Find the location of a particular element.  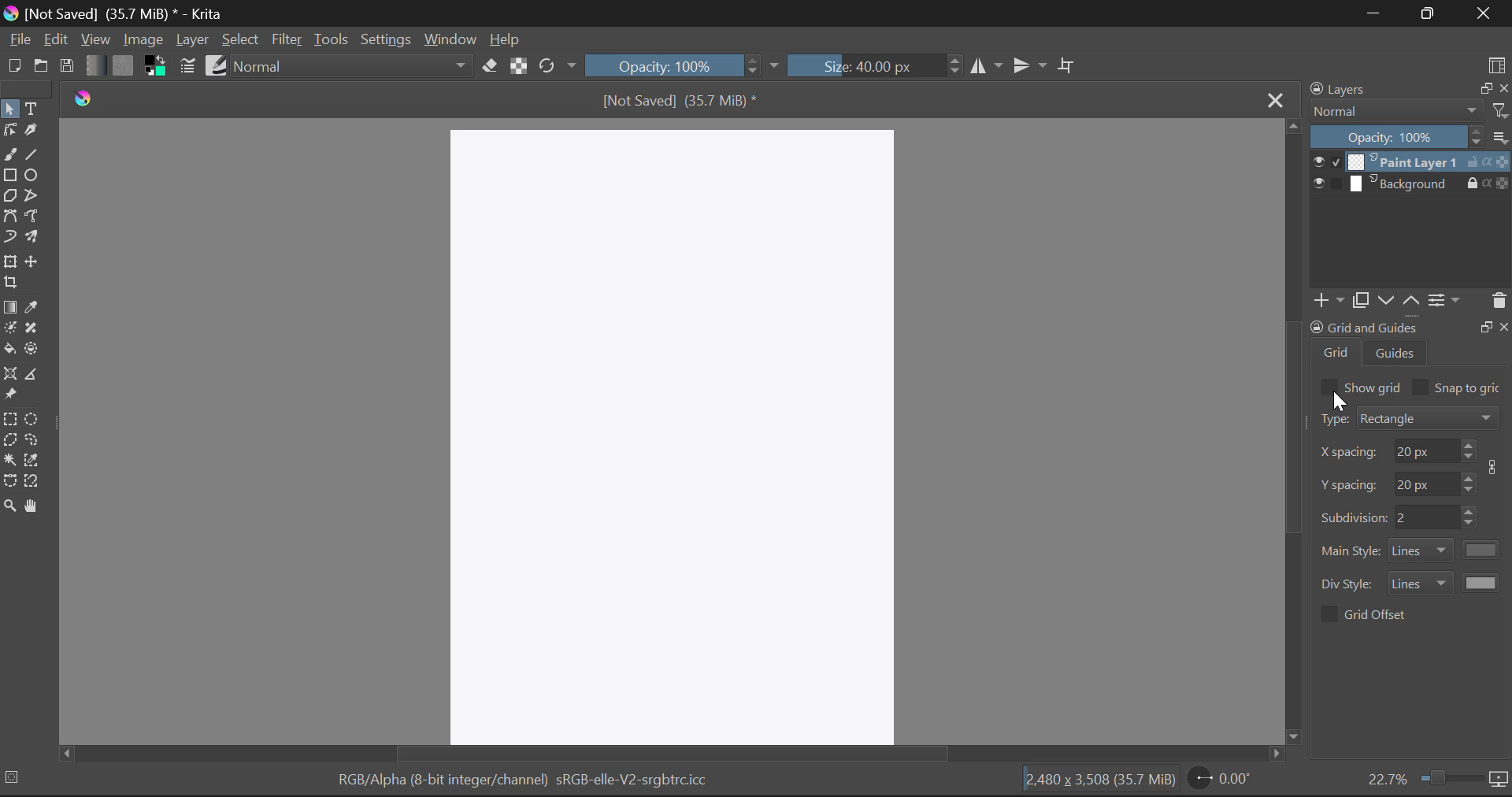

File is located at coordinates (19, 40).